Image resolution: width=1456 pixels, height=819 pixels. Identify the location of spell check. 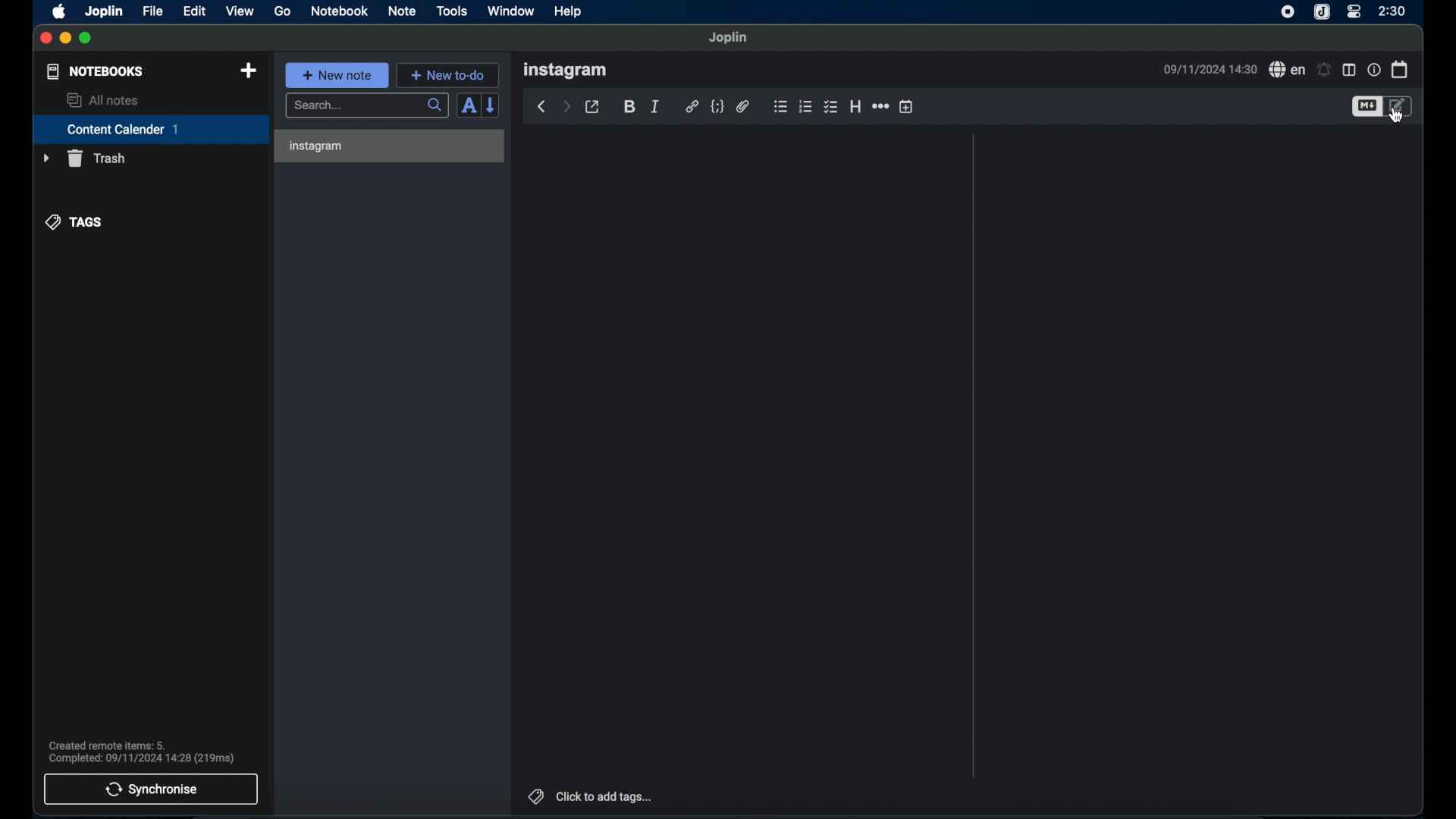
(1288, 69).